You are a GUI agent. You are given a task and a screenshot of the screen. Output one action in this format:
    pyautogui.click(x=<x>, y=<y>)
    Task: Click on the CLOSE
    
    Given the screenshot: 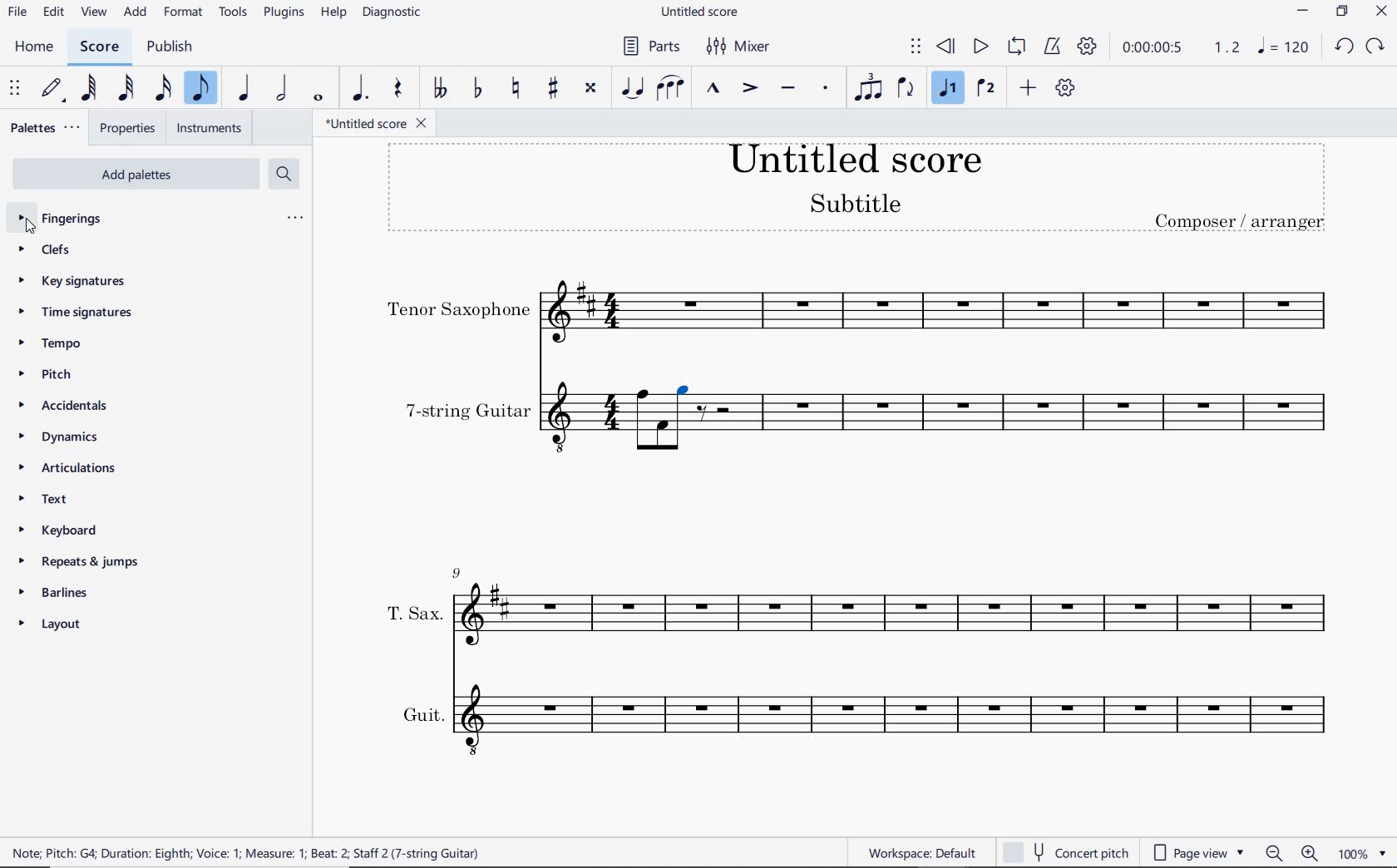 What is the action you would take?
    pyautogui.click(x=1380, y=12)
    